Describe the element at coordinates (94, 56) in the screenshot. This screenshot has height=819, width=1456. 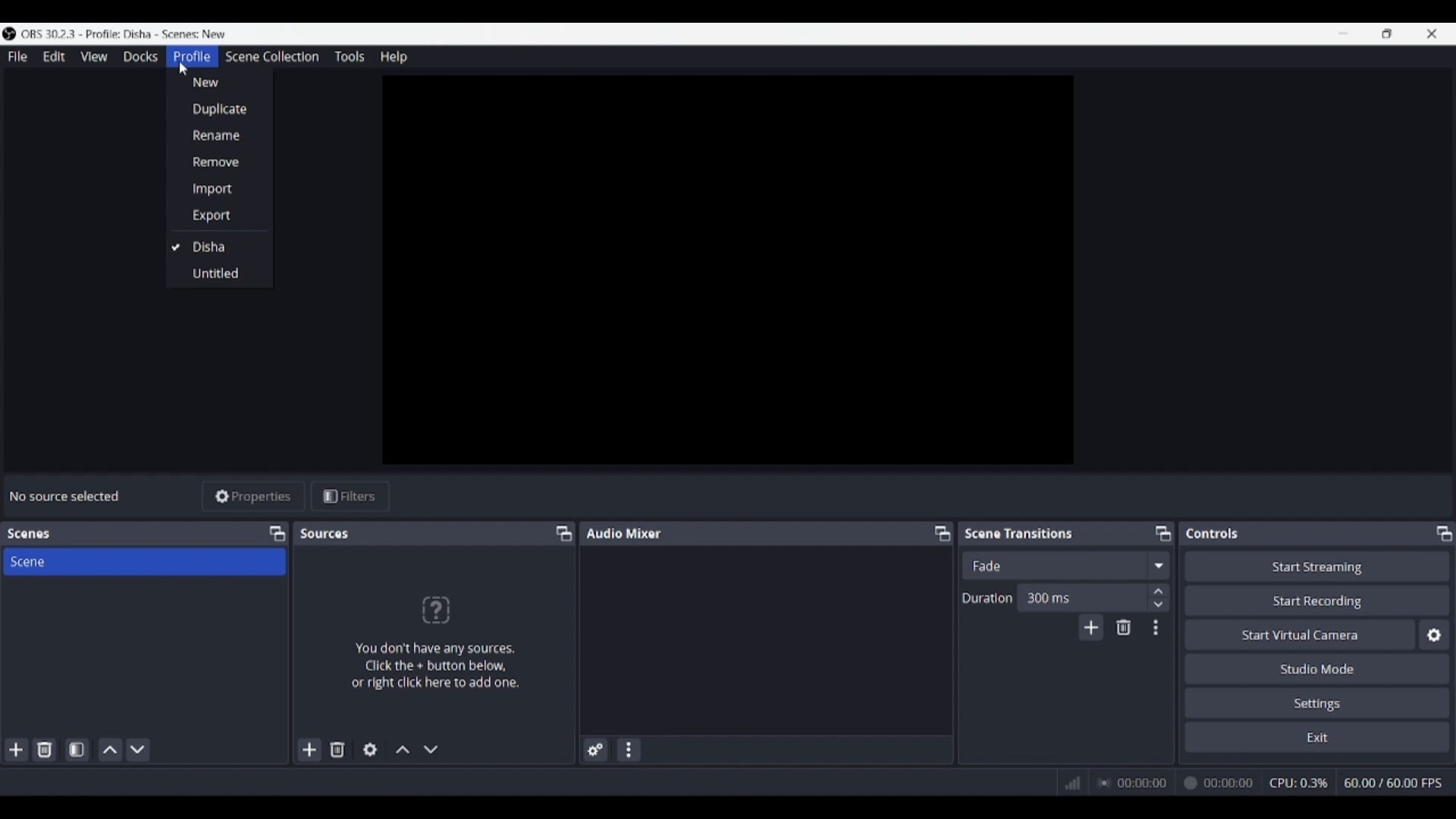
I see `View menu` at that location.